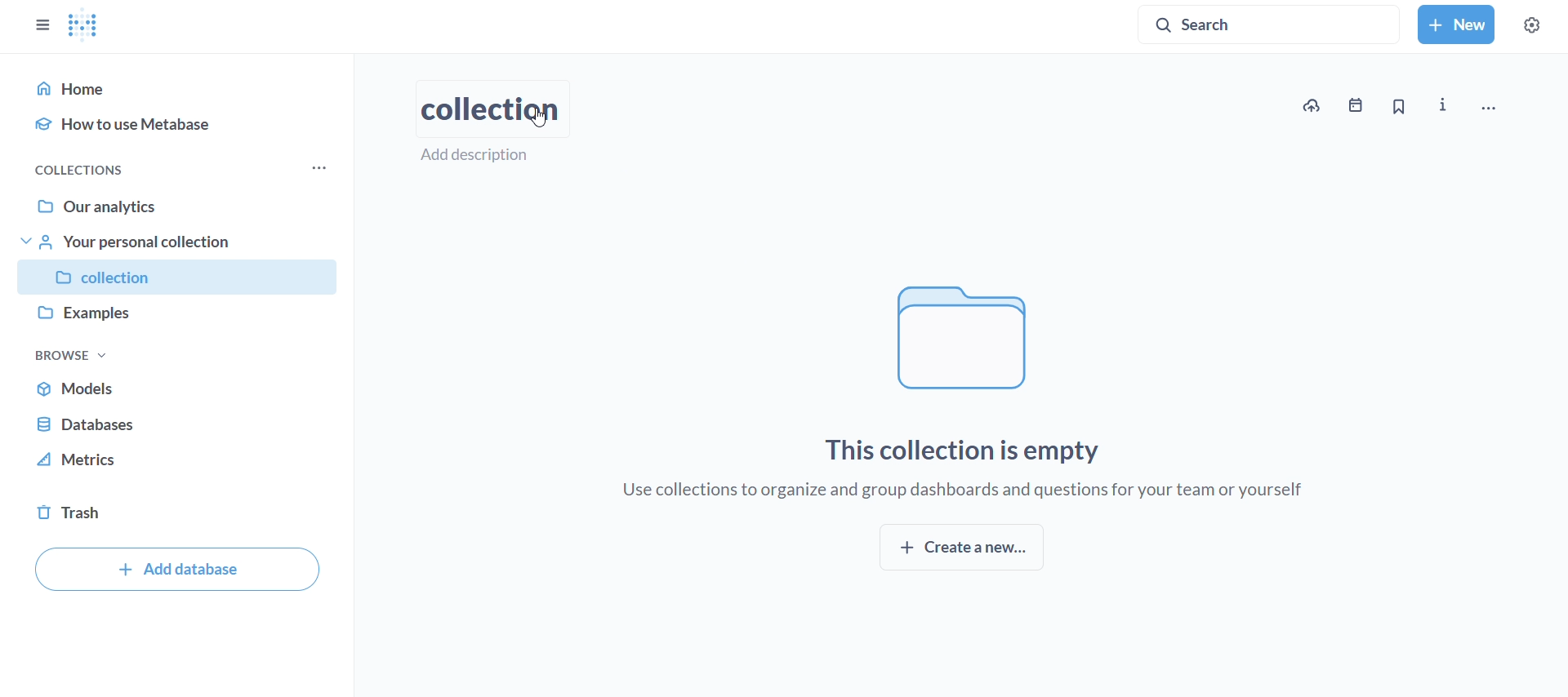 The height and width of the screenshot is (697, 1568). What do you see at coordinates (1503, 102) in the screenshot?
I see `move, trash and more` at bounding box center [1503, 102].